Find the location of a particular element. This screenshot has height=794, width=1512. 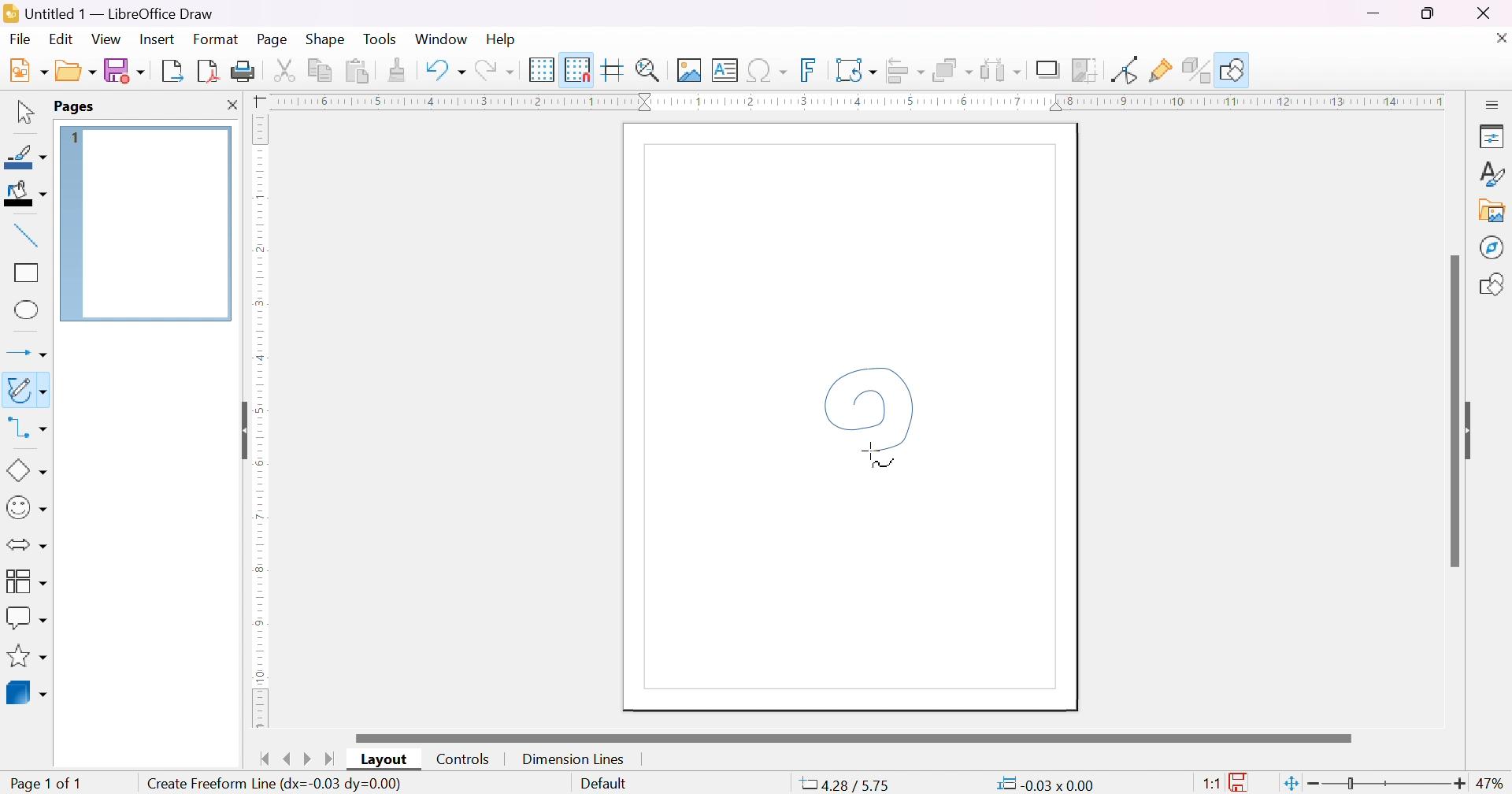

align objects is located at coordinates (903, 72).